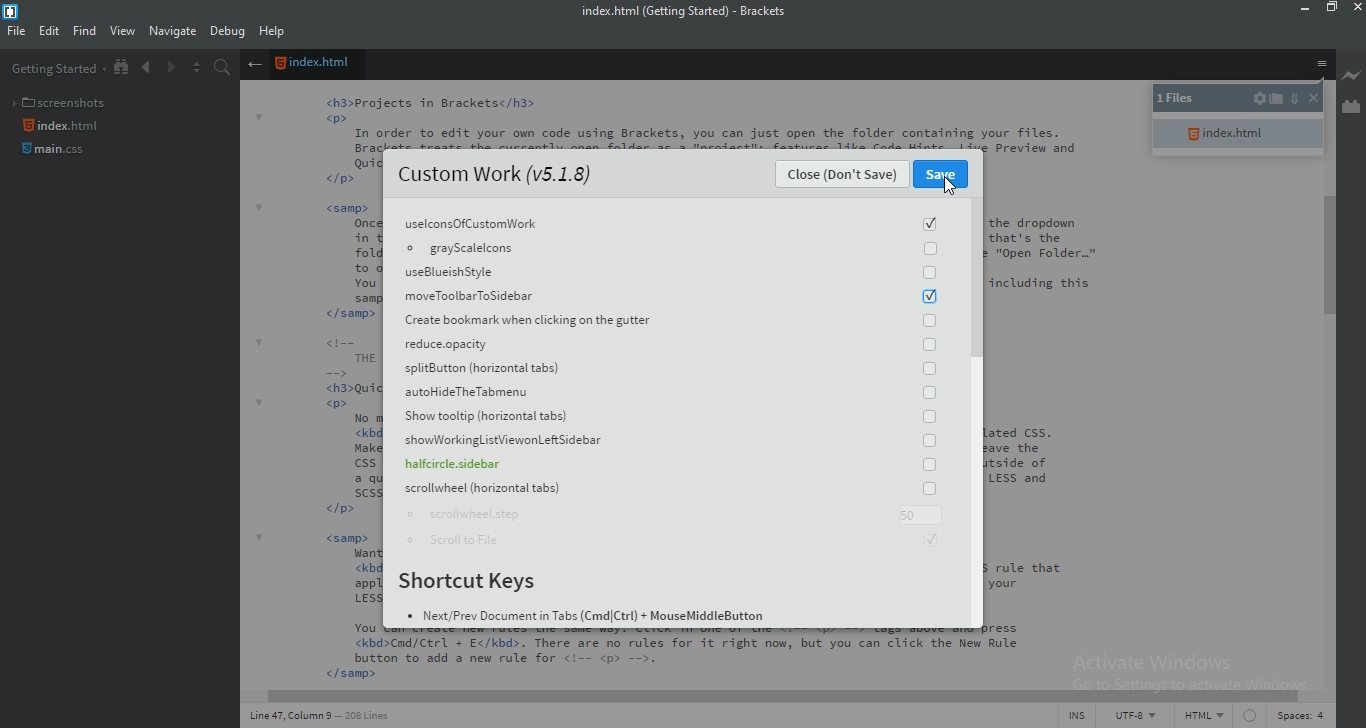 The width and height of the screenshot is (1366, 728). What do you see at coordinates (672, 421) in the screenshot?
I see `Show tooltip(horizontal tabs)` at bounding box center [672, 421].